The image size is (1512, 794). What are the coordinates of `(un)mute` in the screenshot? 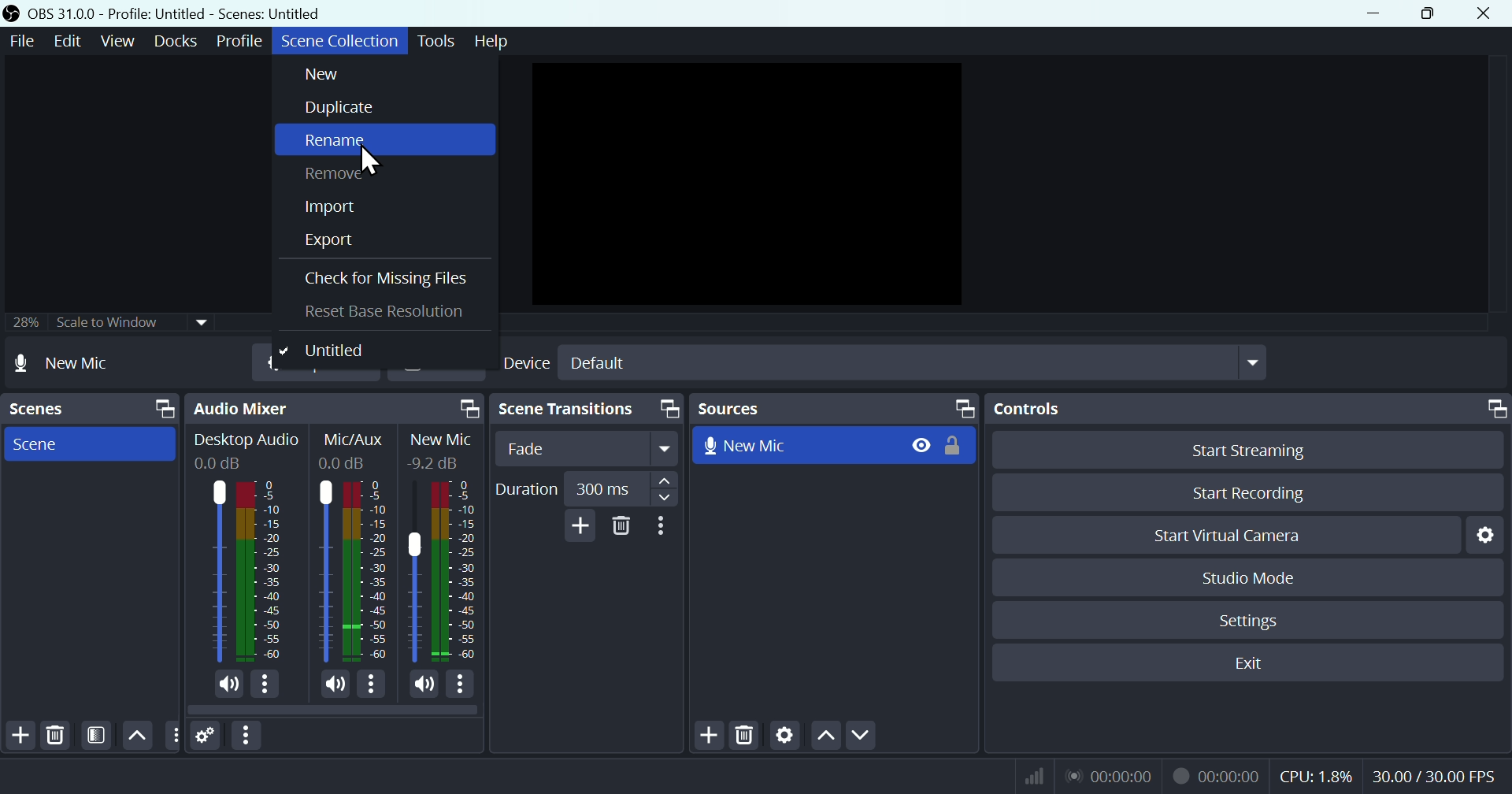 It's located at (334, 684).